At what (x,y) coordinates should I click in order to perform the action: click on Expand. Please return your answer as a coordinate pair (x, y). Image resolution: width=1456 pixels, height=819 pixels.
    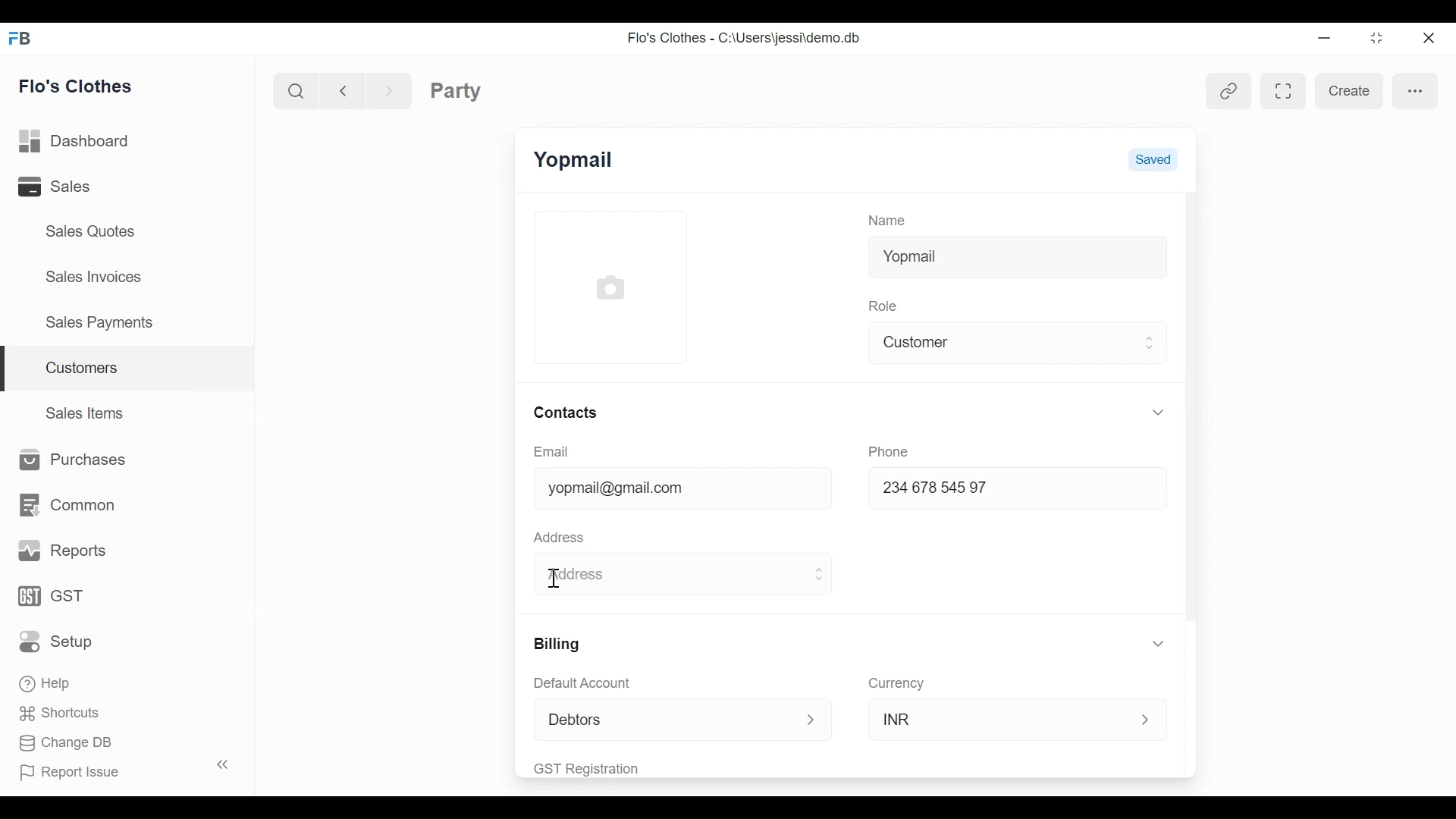
    Looking at the image, I should click on (1159, 644).